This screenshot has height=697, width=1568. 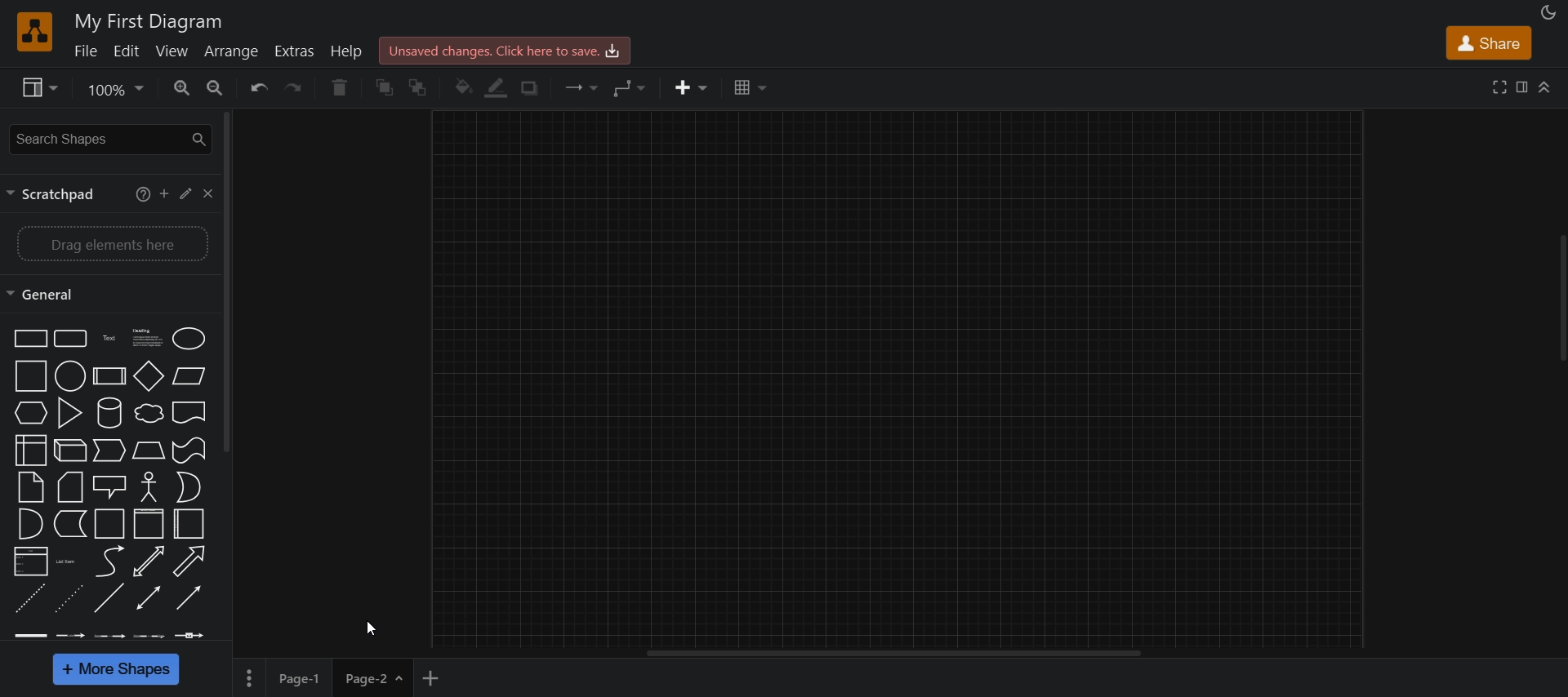 What do you see at coordinates (215, 90) in the screenshot?
I see `zoom out` at bounding box center [215, 90].